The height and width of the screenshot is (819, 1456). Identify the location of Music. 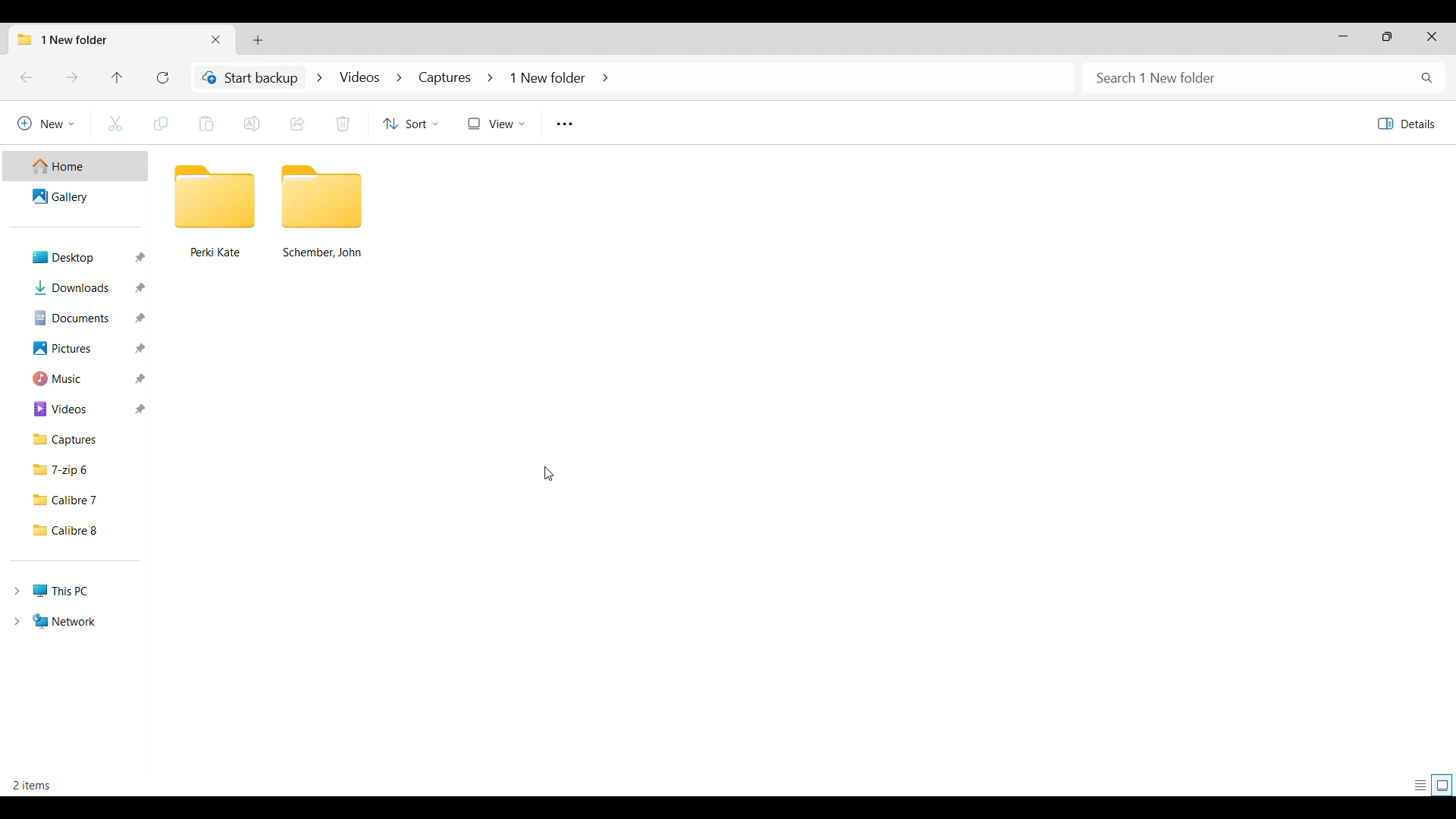
(78, 379).